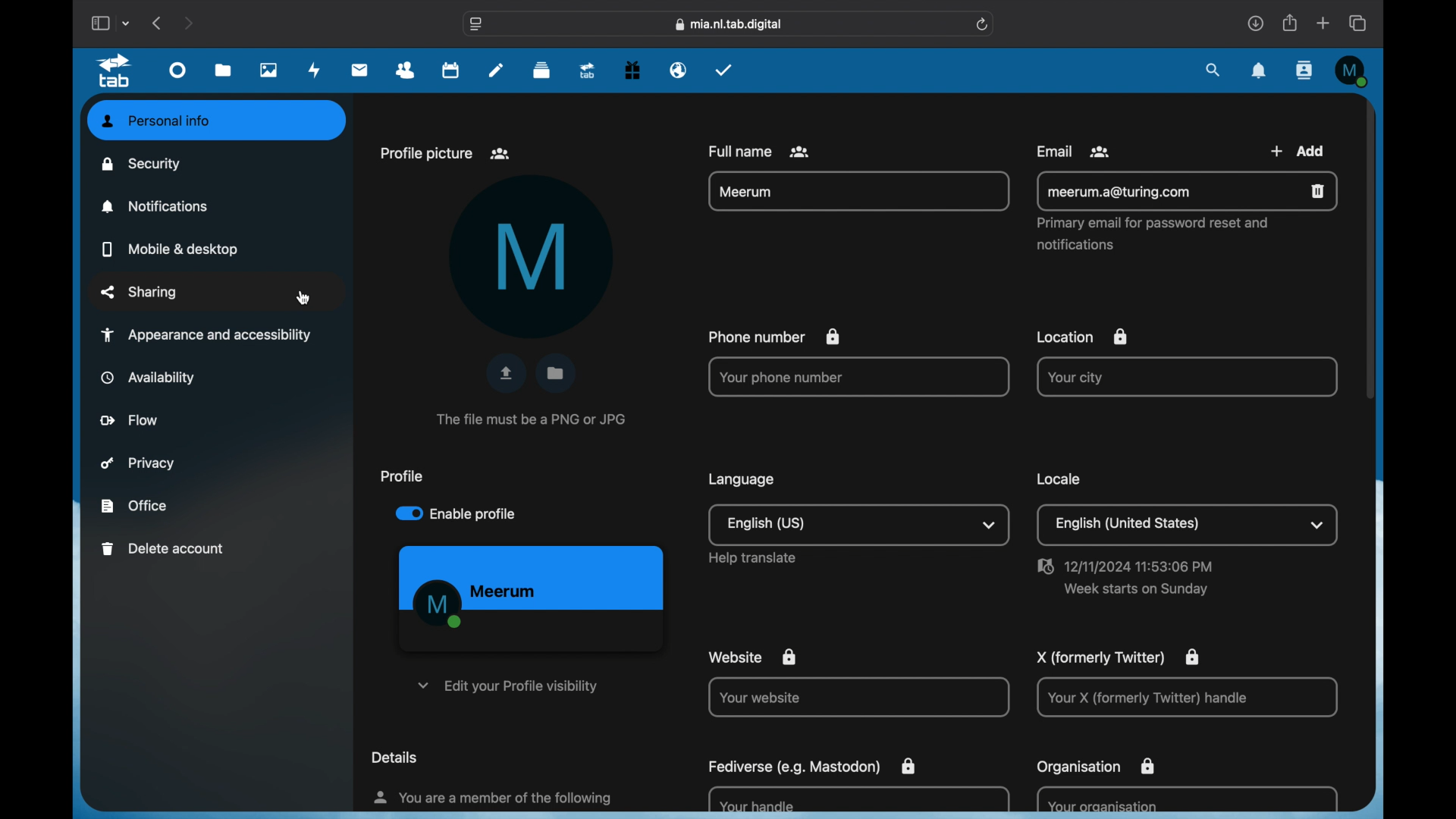 The height and width of the screenshot is (819, 1456). I want to click on language, so click(773, 482).